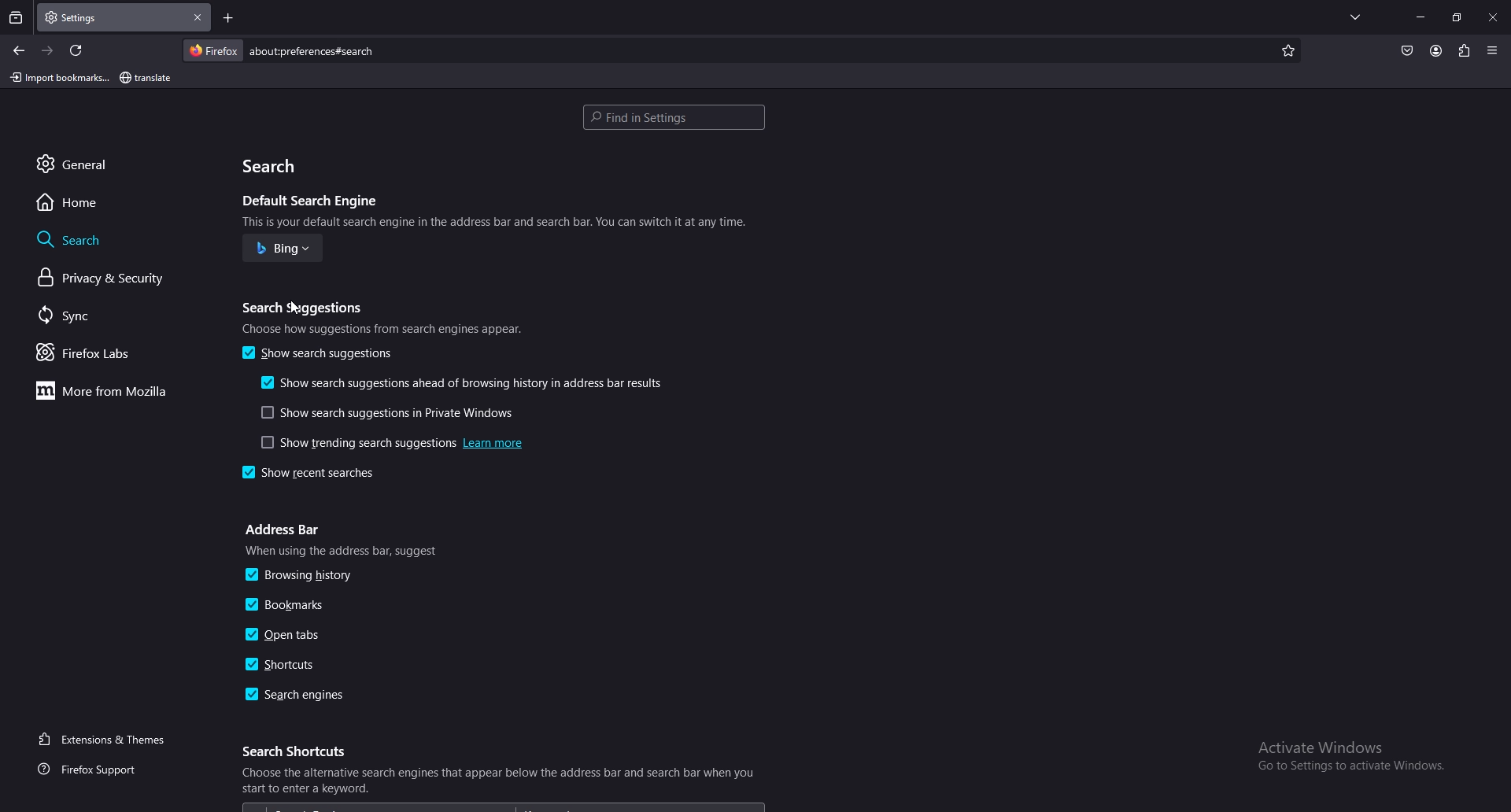 The width and height of the screenshot is (1511, 812). Describe the element at coordinates (107, 740) in the screenshot. I see `extensions and themes` at that location.